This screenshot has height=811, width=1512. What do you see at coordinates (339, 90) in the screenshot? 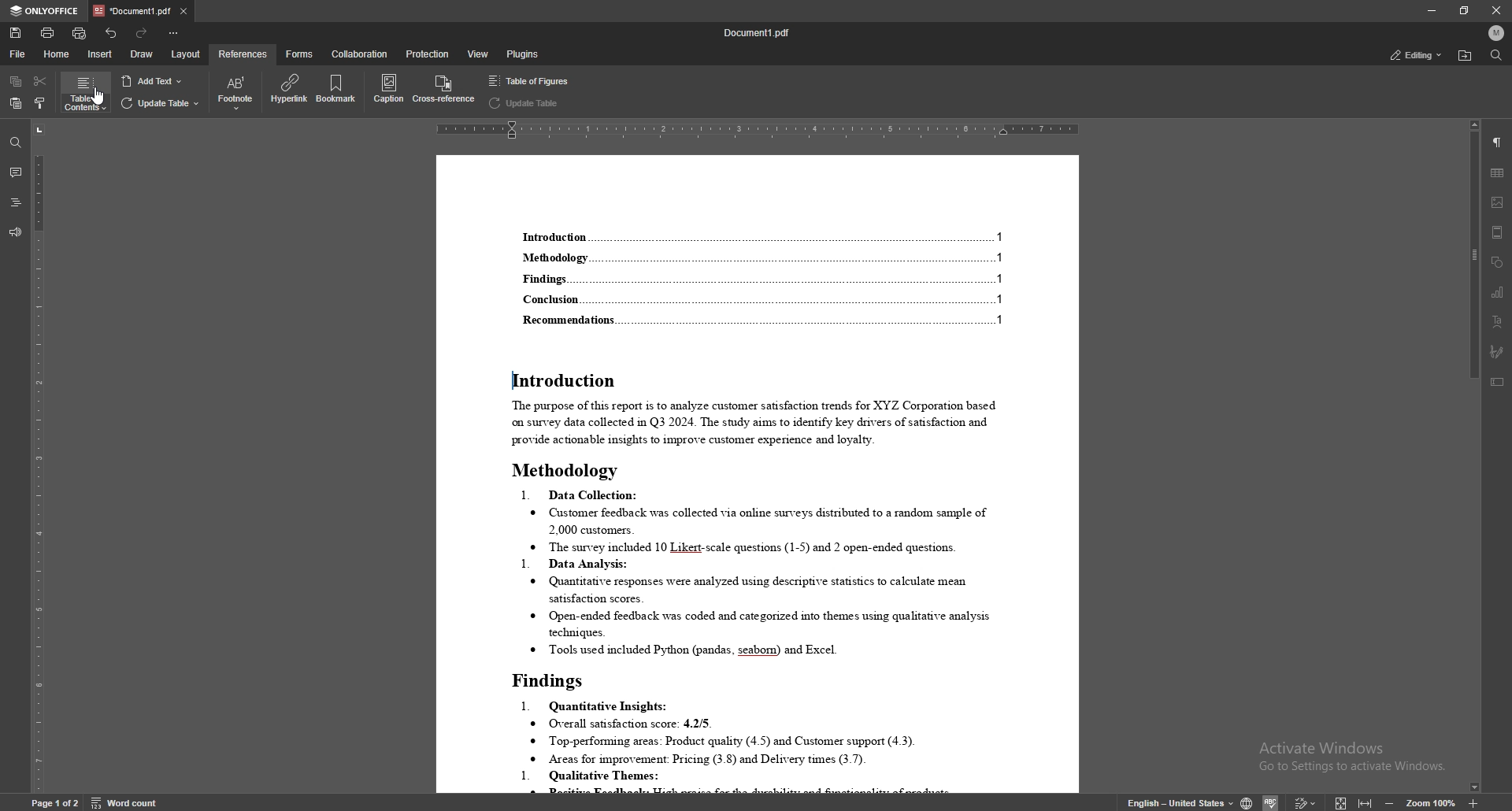
I see `bookmark` at bounding box center [339, 90].